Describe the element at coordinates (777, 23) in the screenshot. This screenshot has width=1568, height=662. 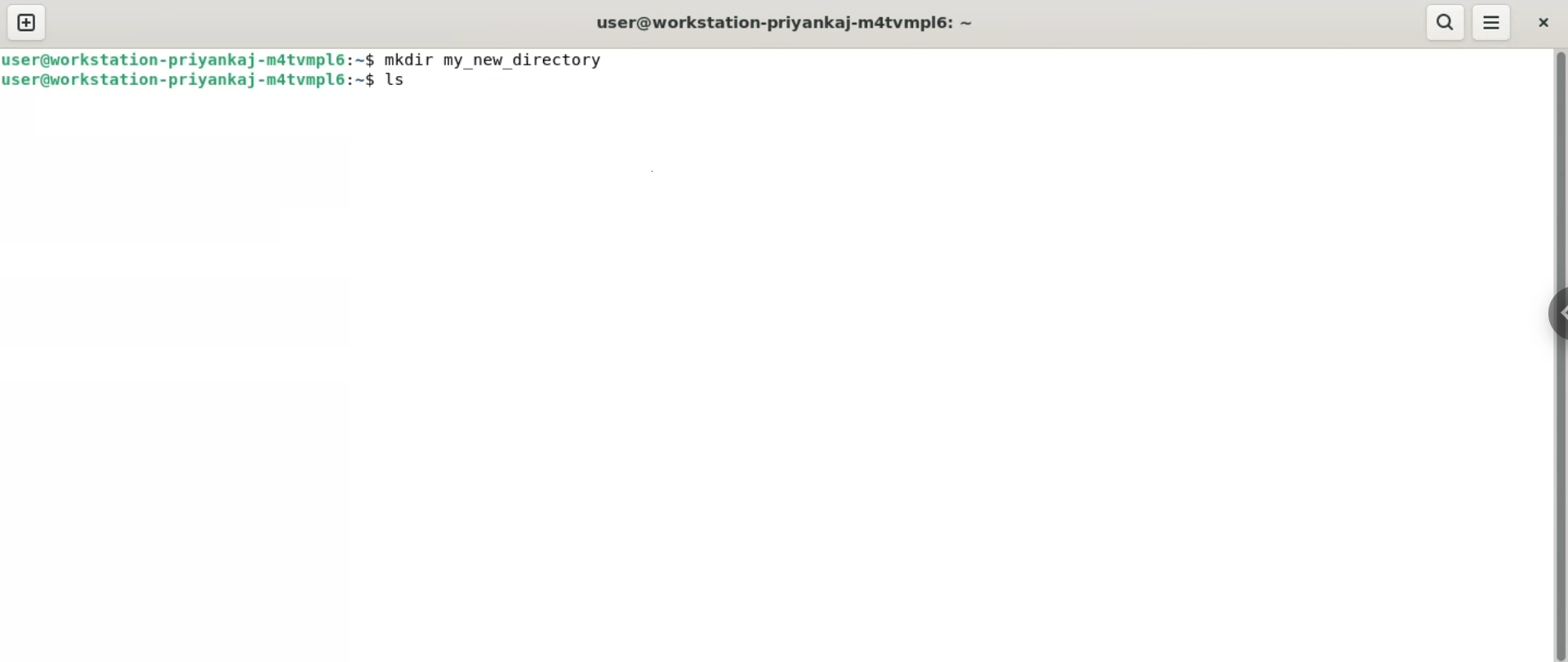
I see `user@workstation-priyankaj-m4tvmpl6: ~ ` at that location.